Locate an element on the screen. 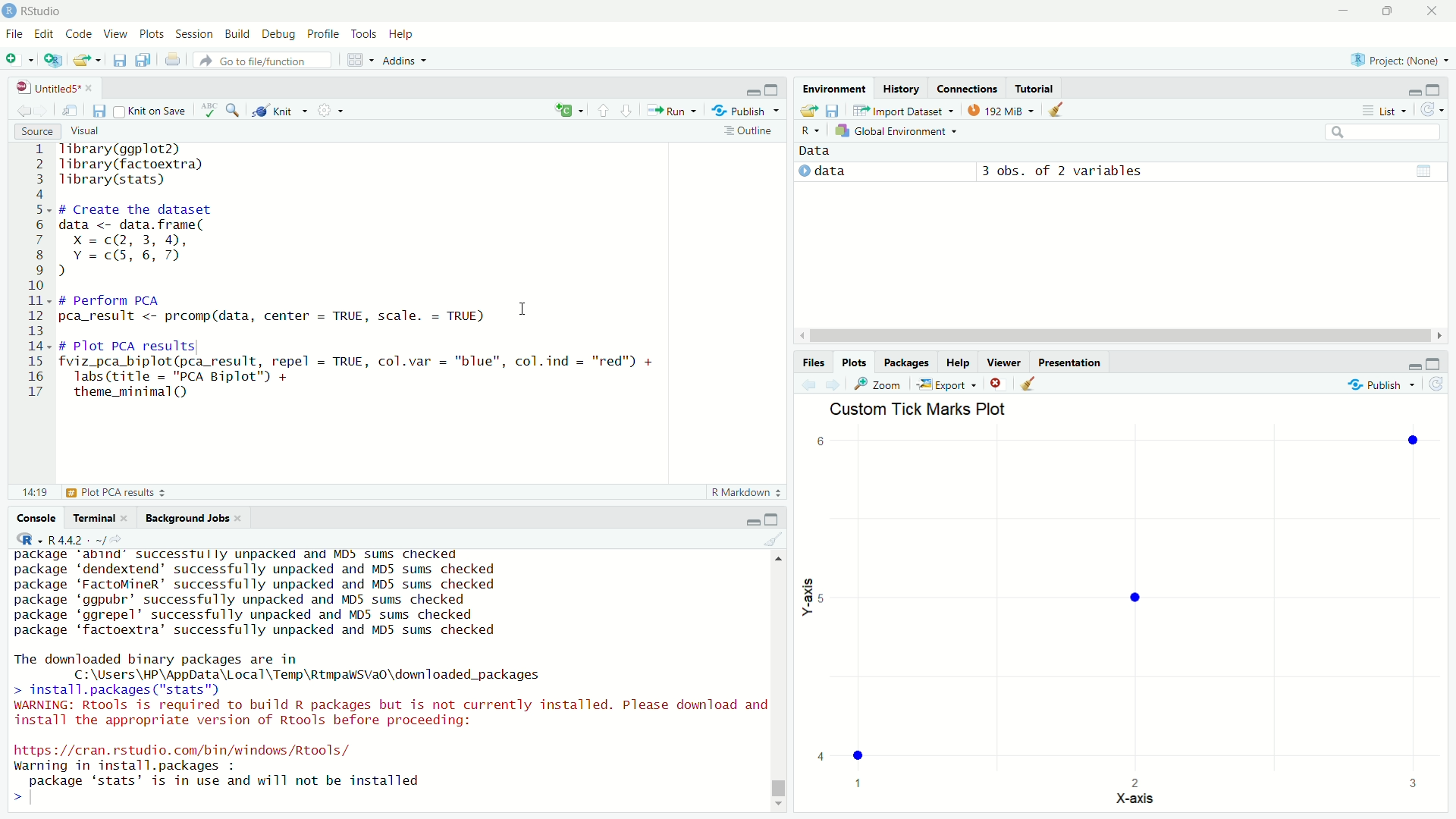 This screenshot has height=819, width=1456. 3obs. of 2 variable is located at coordinates (1203, 173).